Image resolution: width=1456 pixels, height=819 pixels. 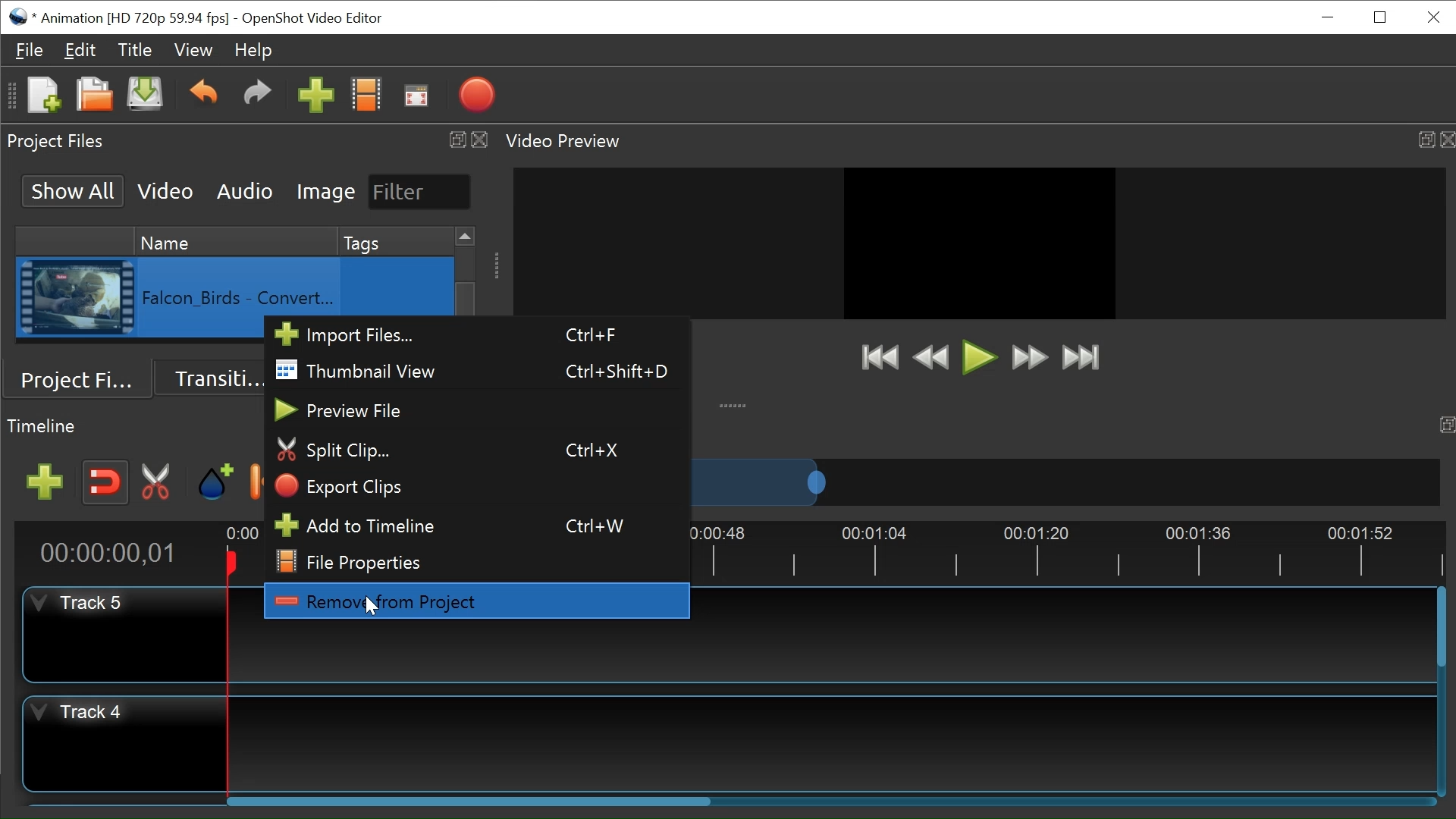 I want to click on Jump to Start, so click(x=880, y=357).